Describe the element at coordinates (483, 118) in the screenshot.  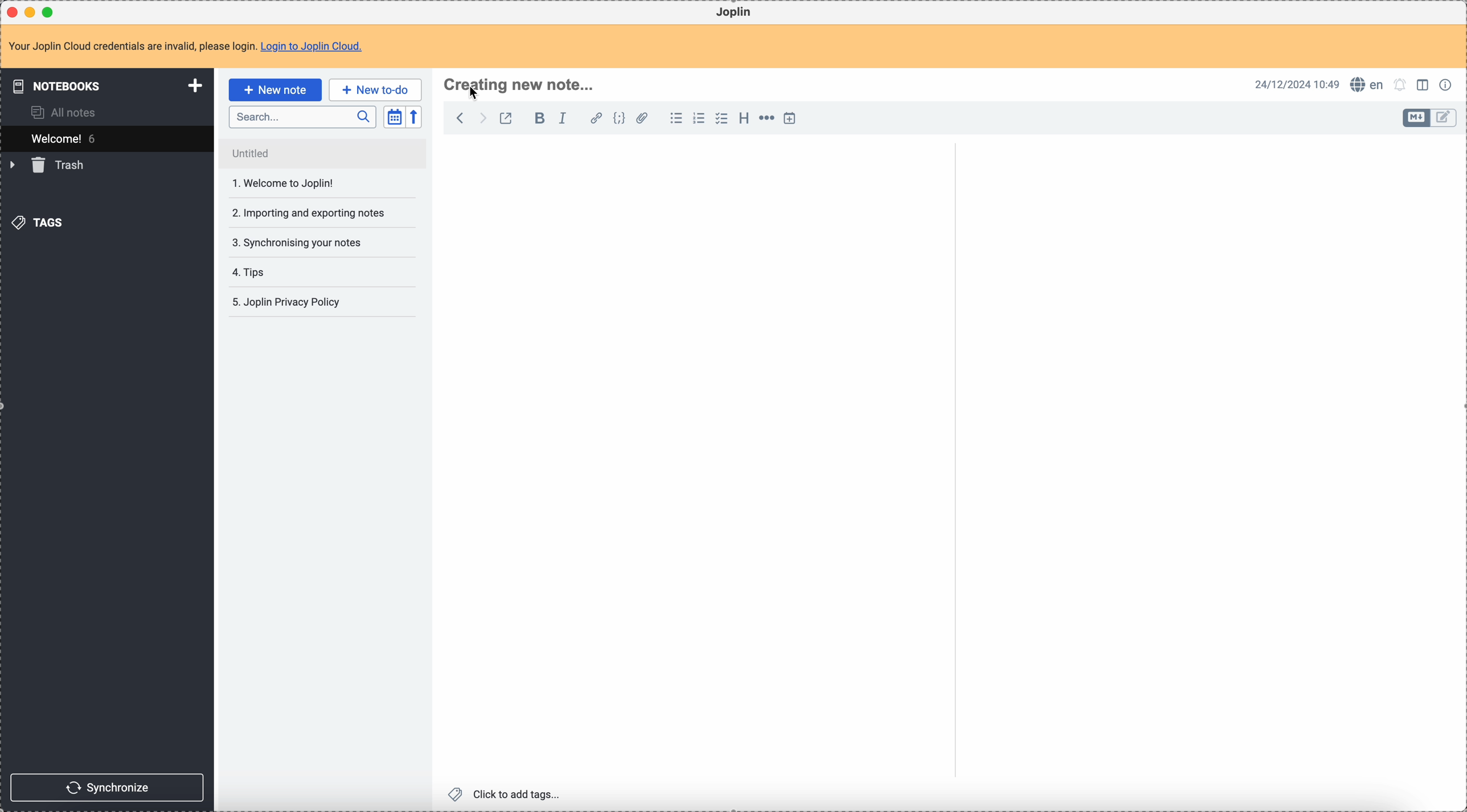
I see `foward` at that location.